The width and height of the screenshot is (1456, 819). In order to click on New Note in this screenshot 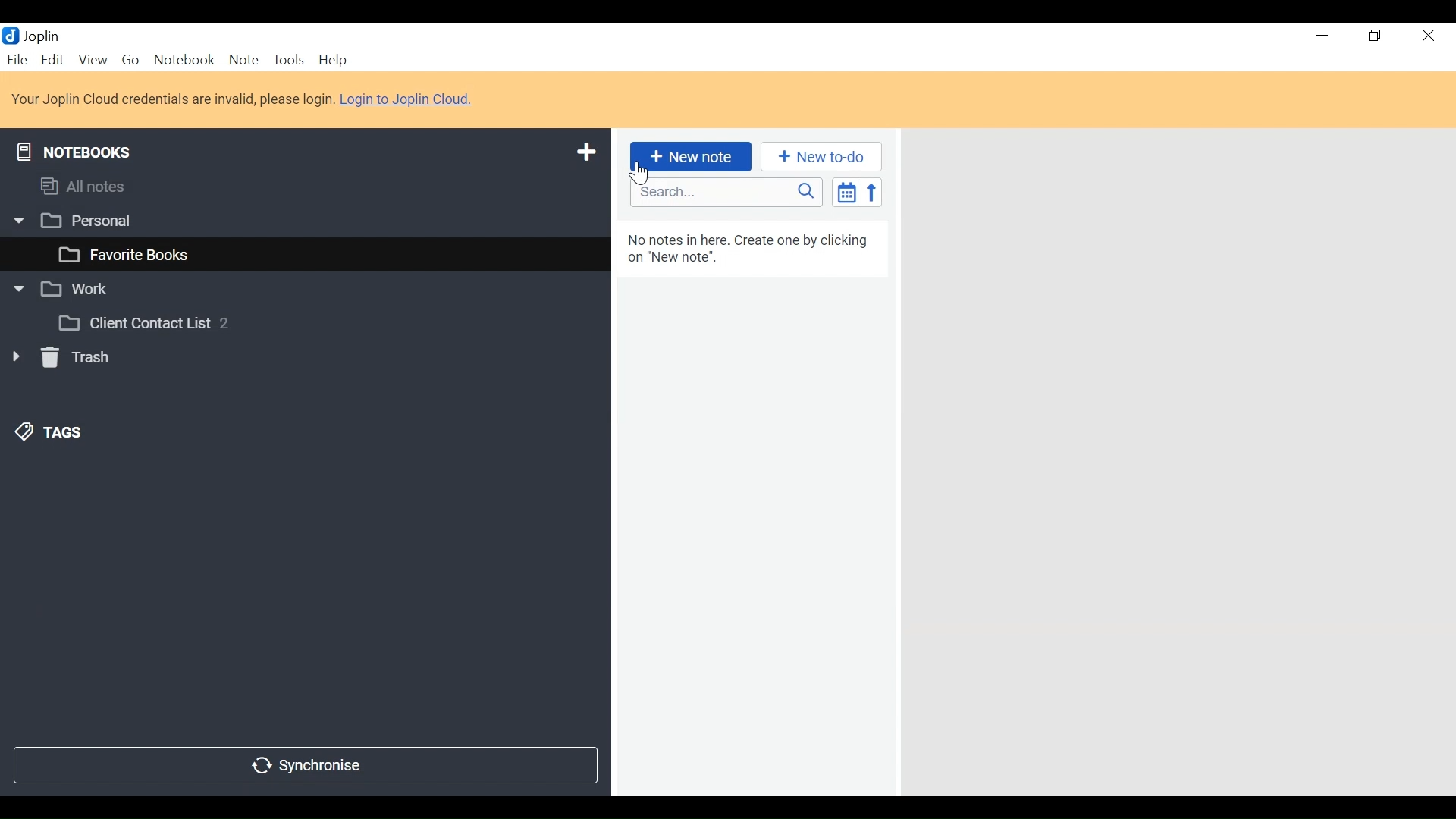, I will do `click(691, 156)`.